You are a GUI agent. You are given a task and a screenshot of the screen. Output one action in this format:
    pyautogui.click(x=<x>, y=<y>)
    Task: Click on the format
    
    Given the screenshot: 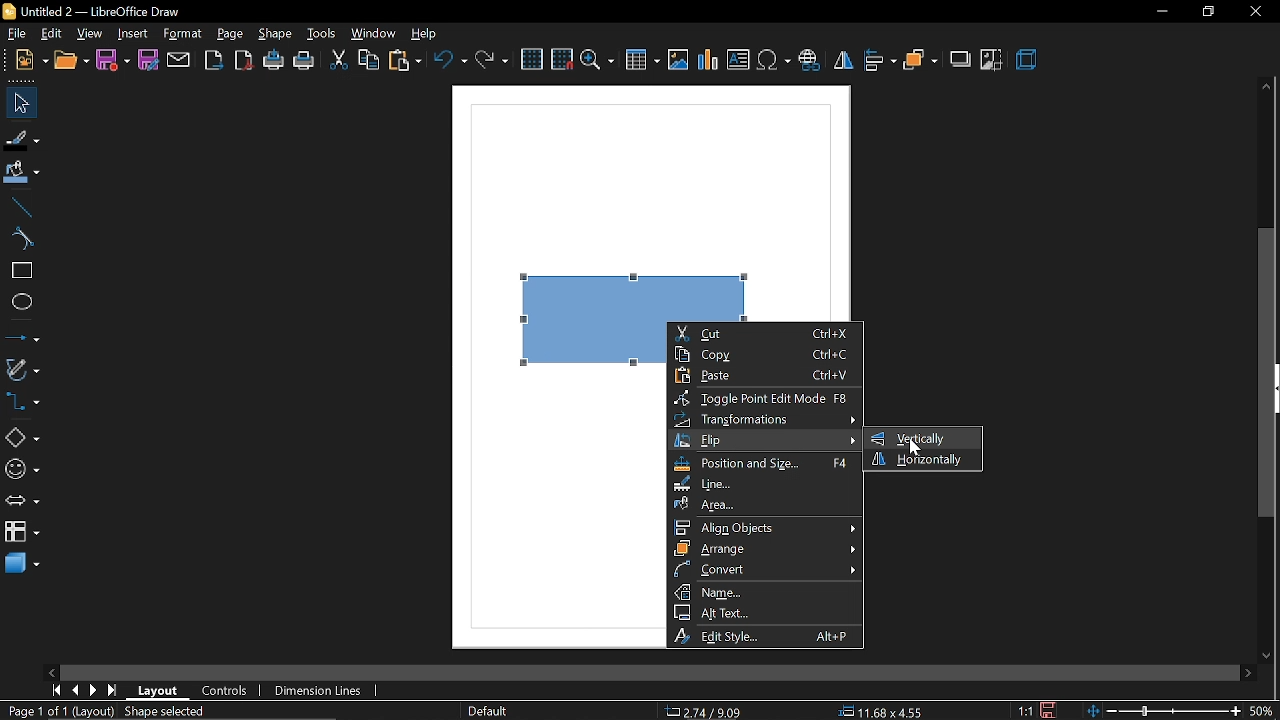 What is the action you would take?
    pyautogui.click(x=182, y=33)
    